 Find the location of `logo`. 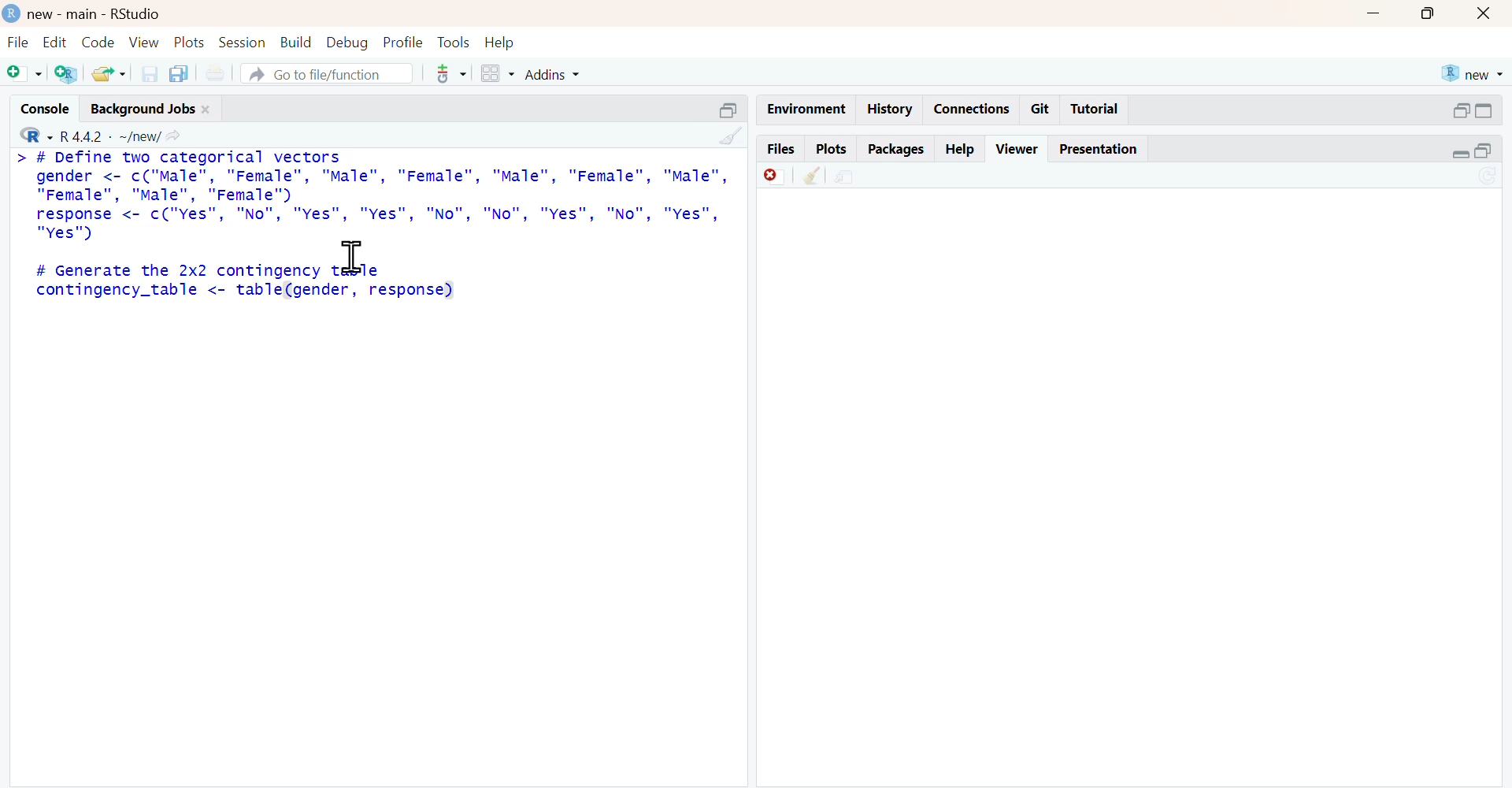

logo is located at coordinates (13, 13).